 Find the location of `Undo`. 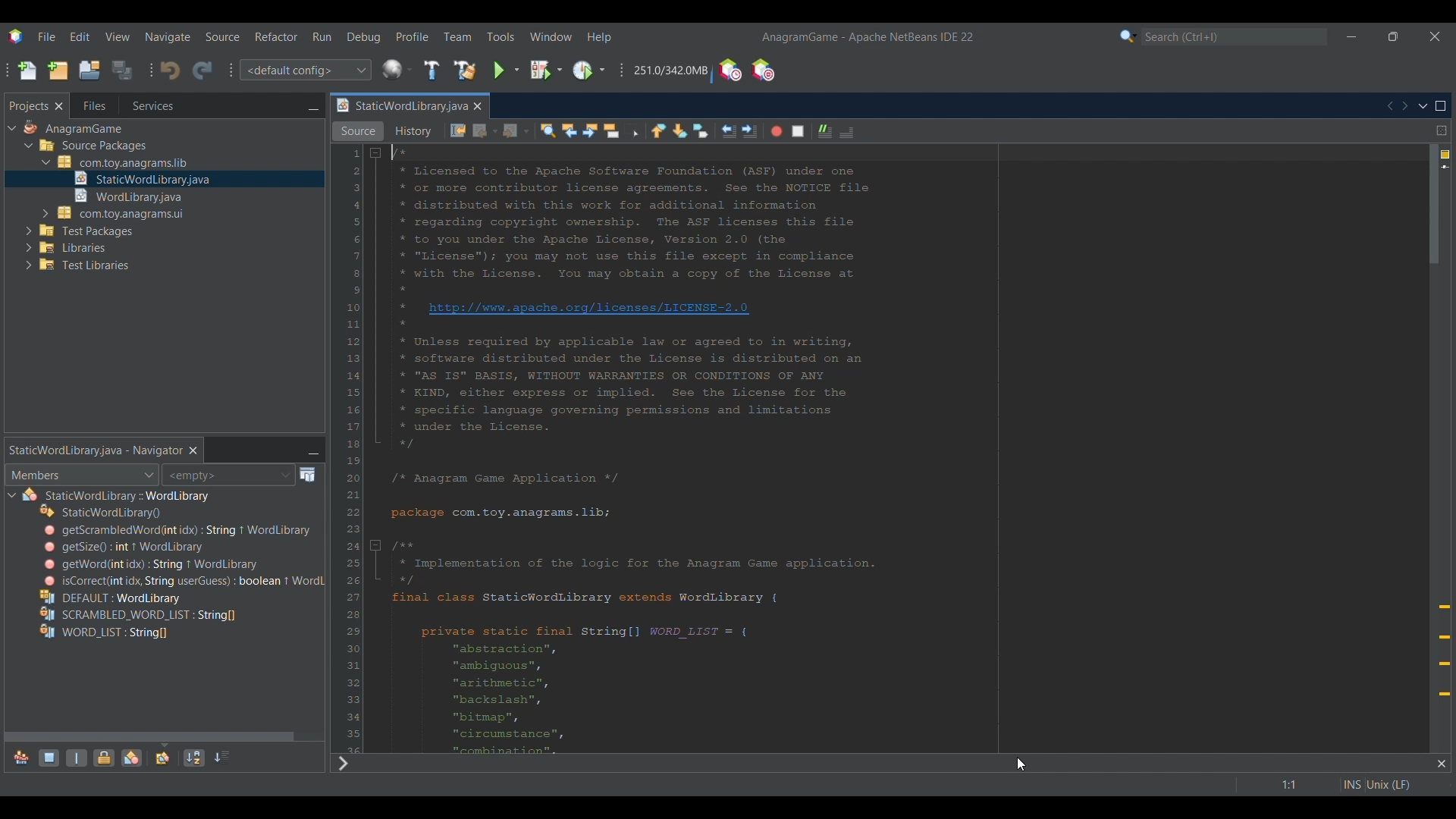

Undo is located at coordinates (170, 71).